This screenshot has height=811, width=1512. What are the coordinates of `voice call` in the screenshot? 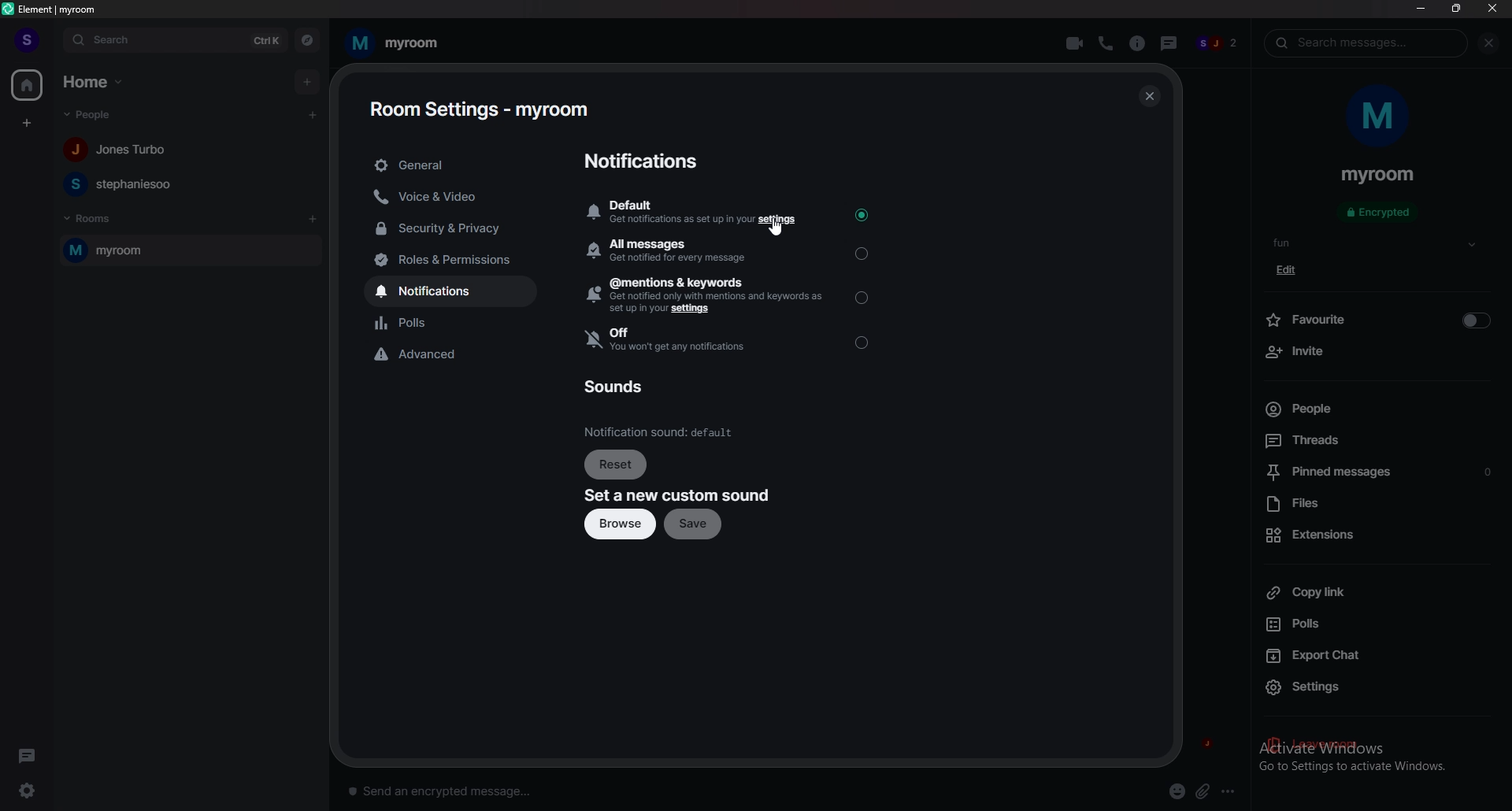 It's located at (1105, 43).